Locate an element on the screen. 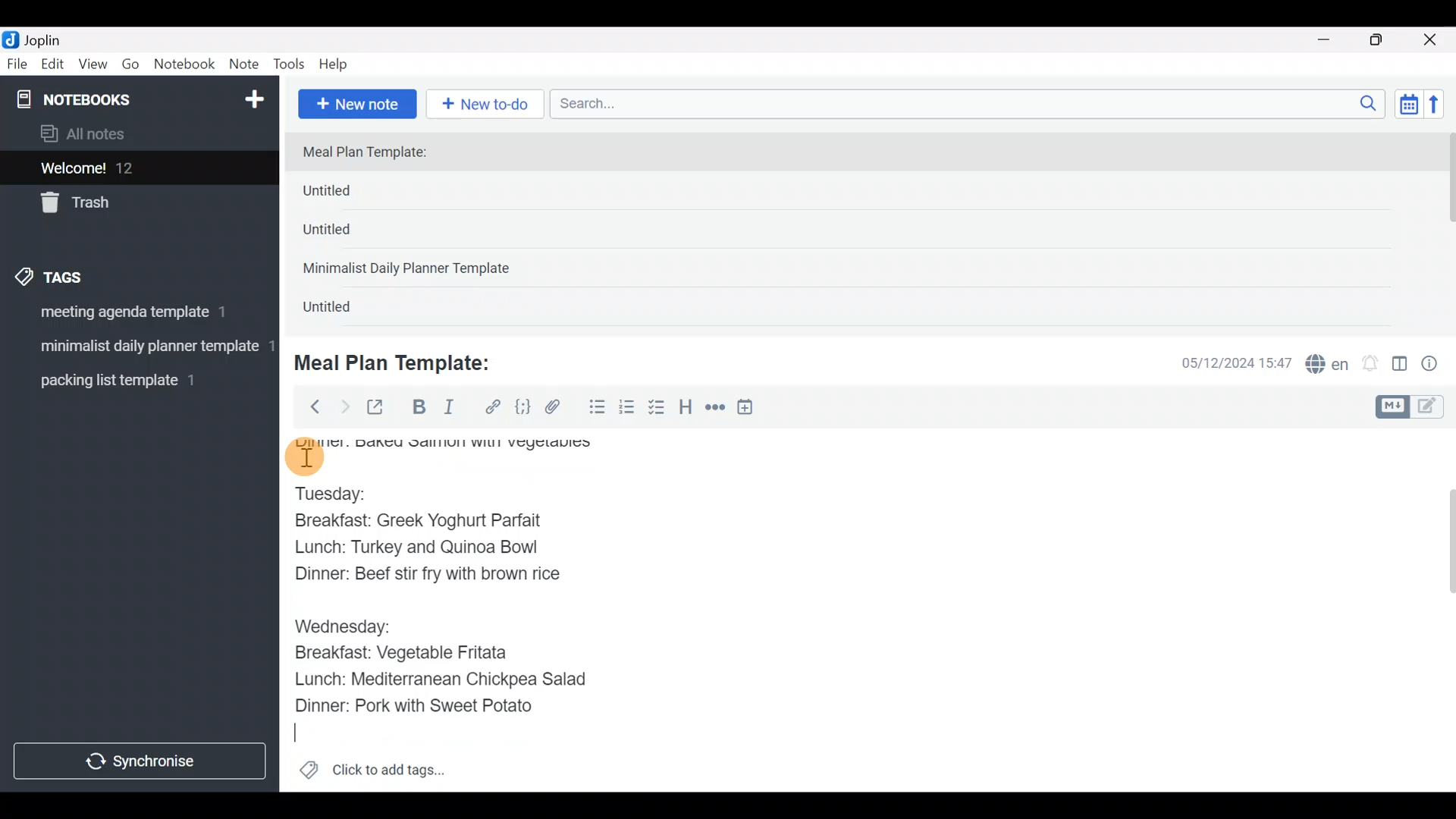 The height and width of the screenshot is (819, 1456). Checkbox is located at coordinates (658, 409).